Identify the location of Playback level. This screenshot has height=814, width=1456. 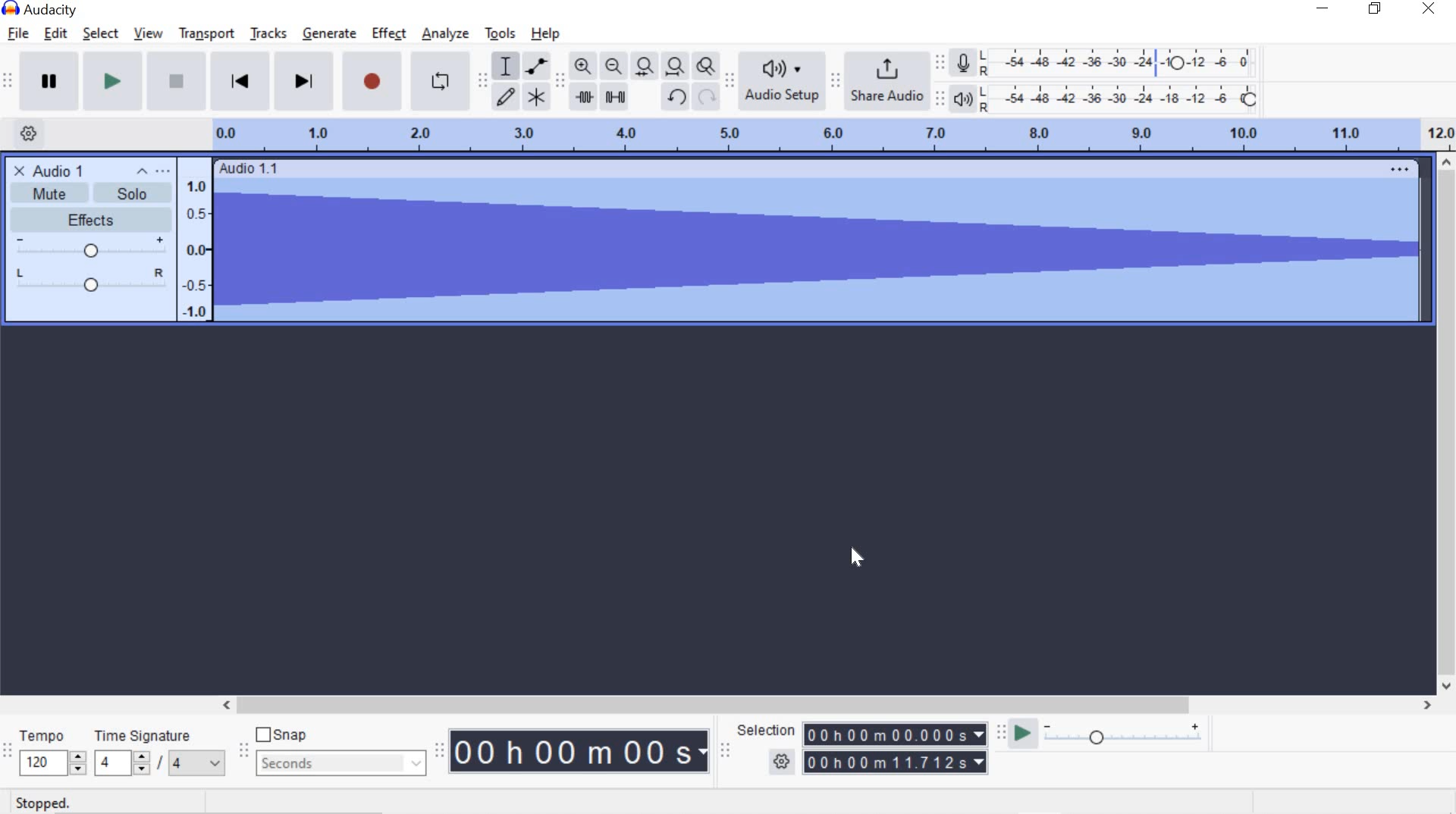
(1123, 98).